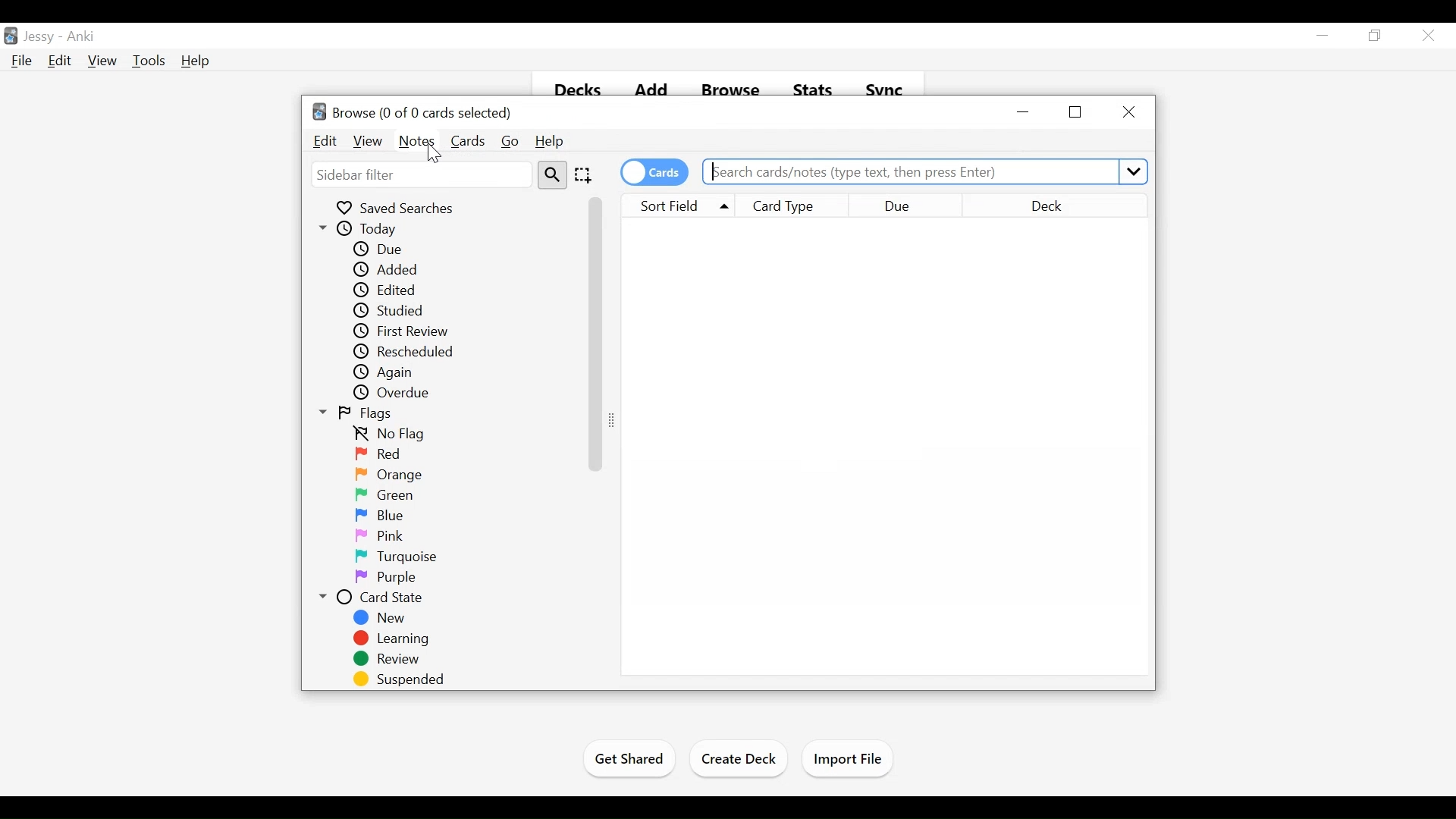 The height and width of the screenshot is (819, 1456). I want to click on Sidebar Filter, so click(424, 175).